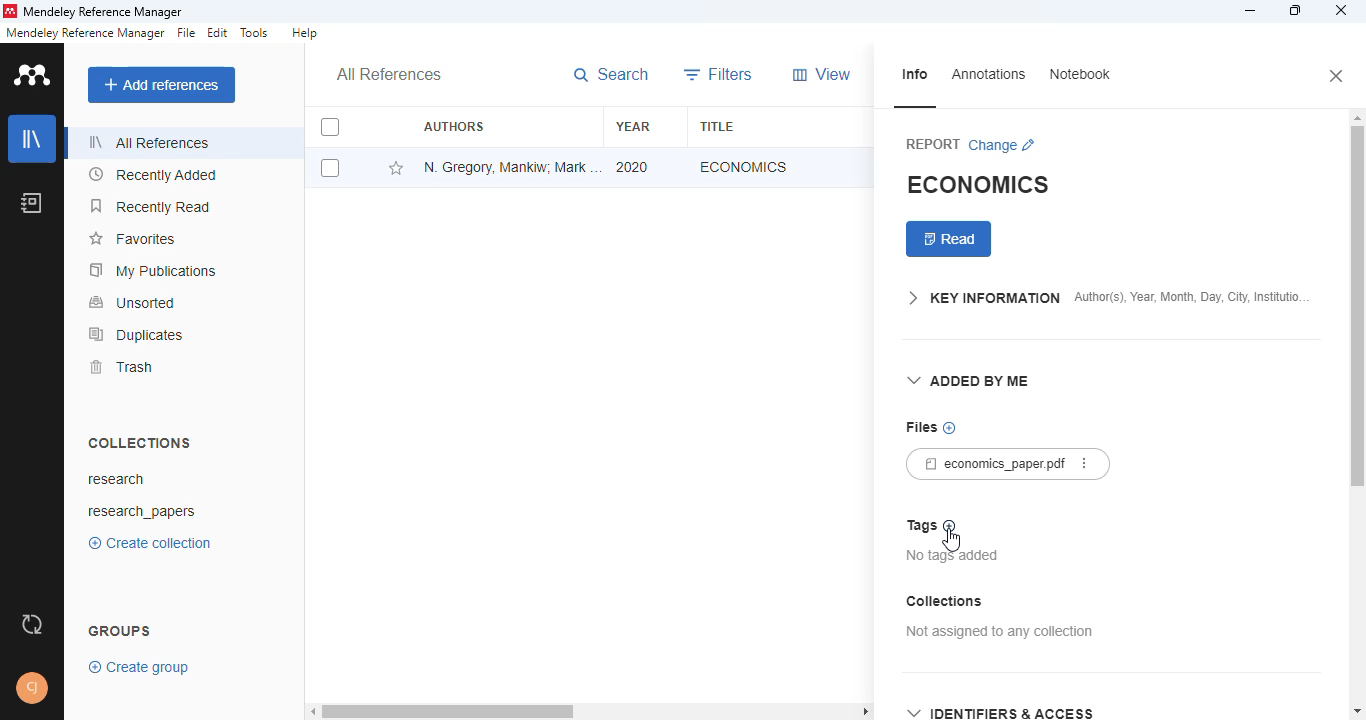 This screenshot has width=1366, height=720. I want to click on recently read, so click(149, 206).